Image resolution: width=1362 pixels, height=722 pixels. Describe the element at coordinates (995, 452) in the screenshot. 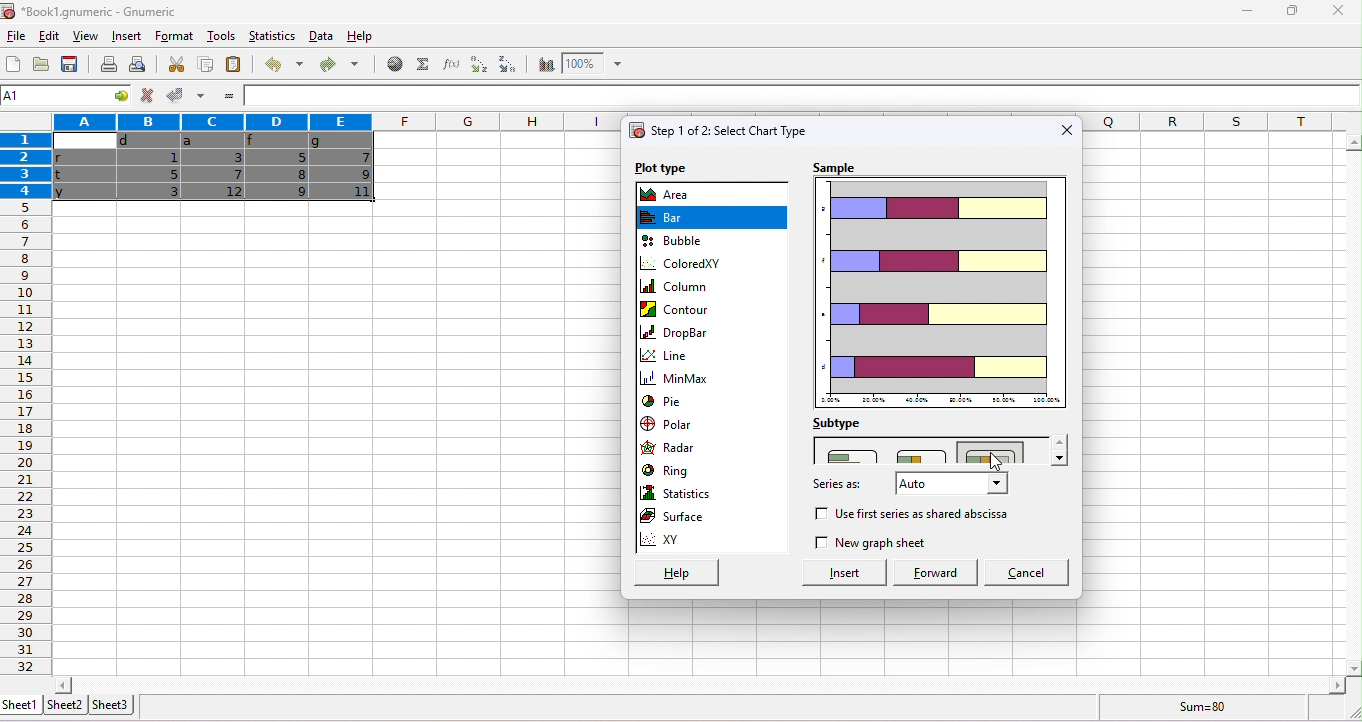

I see `stacked with percentage bars` at that location.